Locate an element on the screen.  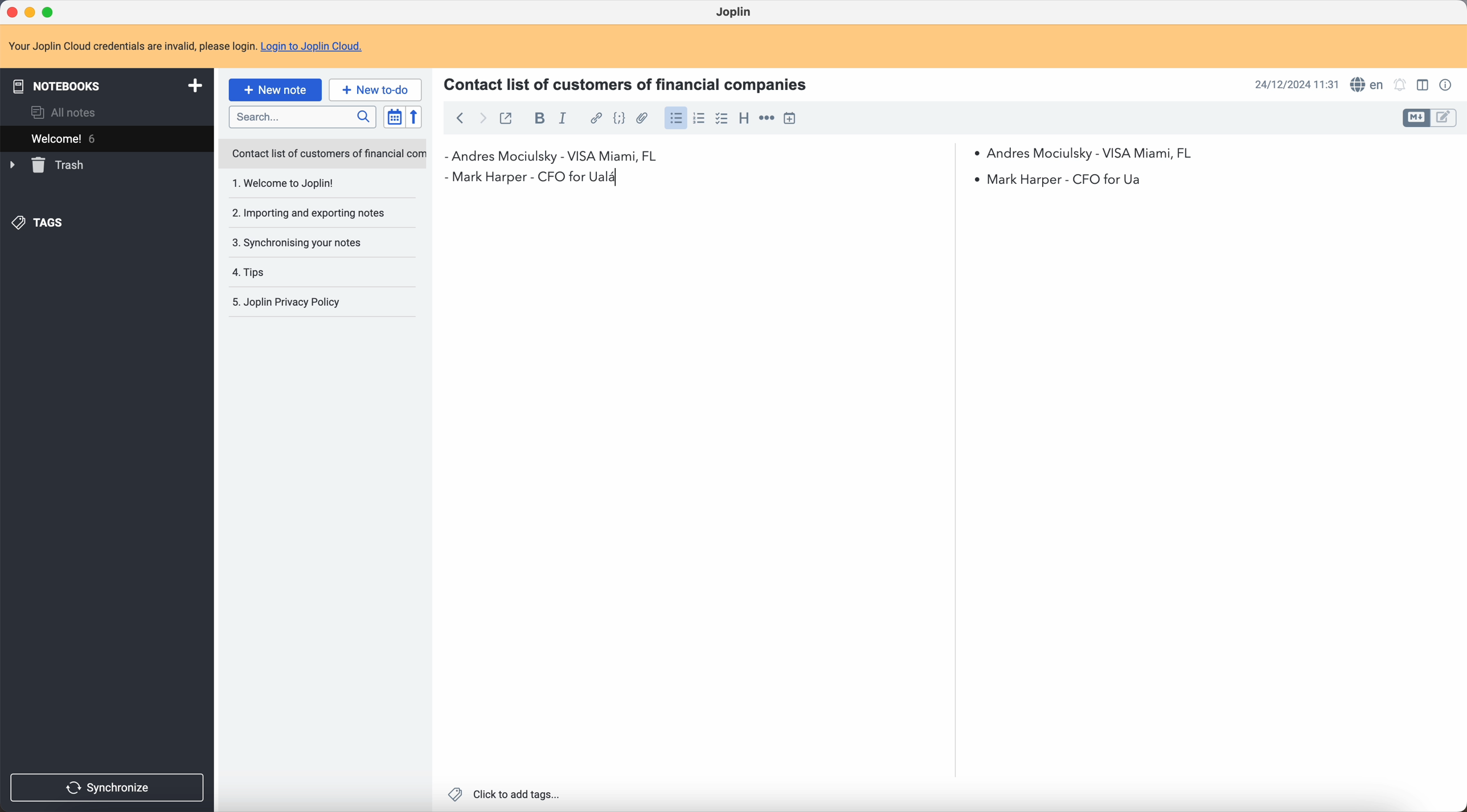
toggle edit layout is located at coordinates (1417, 118).